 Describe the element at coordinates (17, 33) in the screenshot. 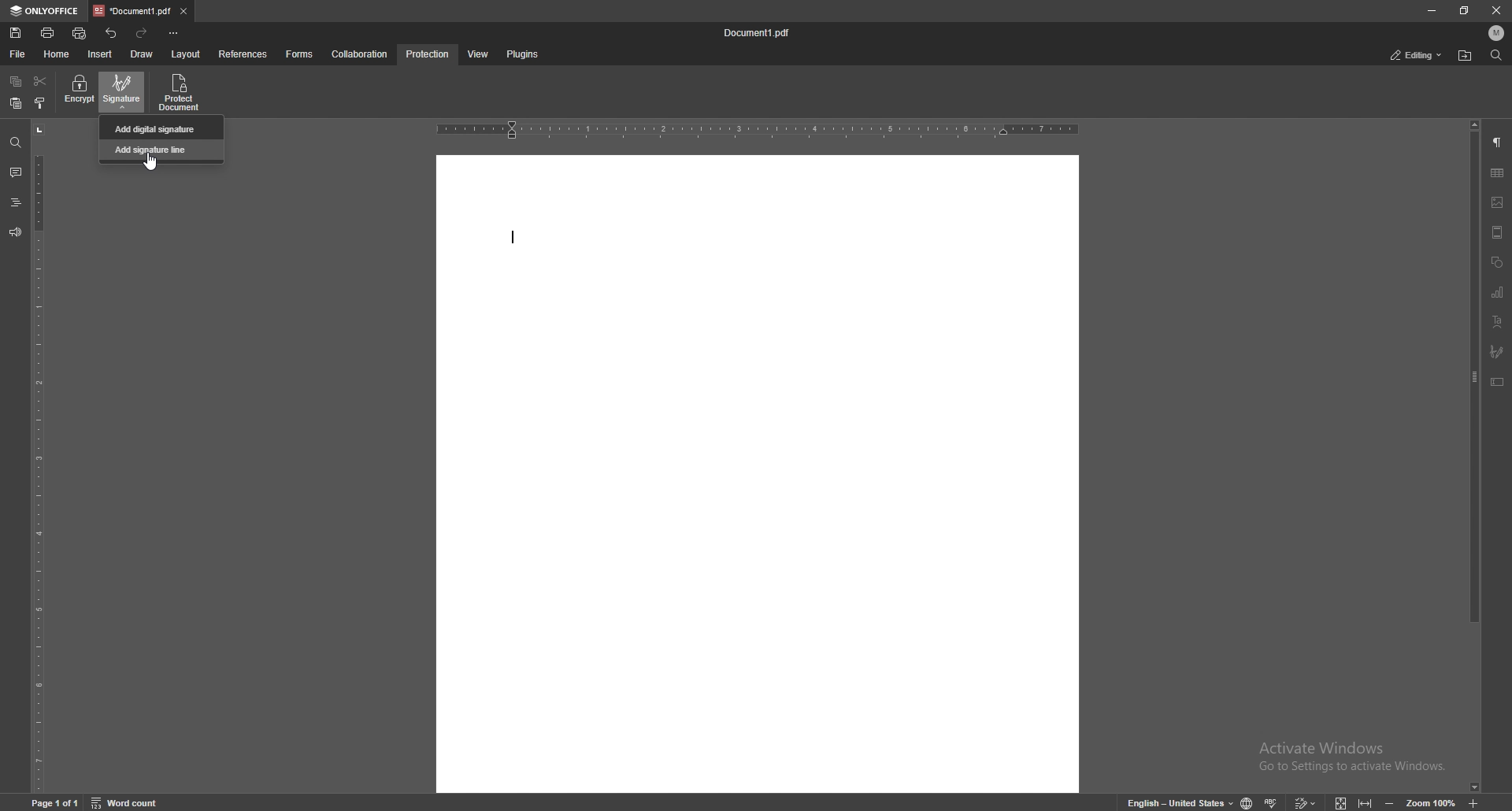

I see `save` at that location.